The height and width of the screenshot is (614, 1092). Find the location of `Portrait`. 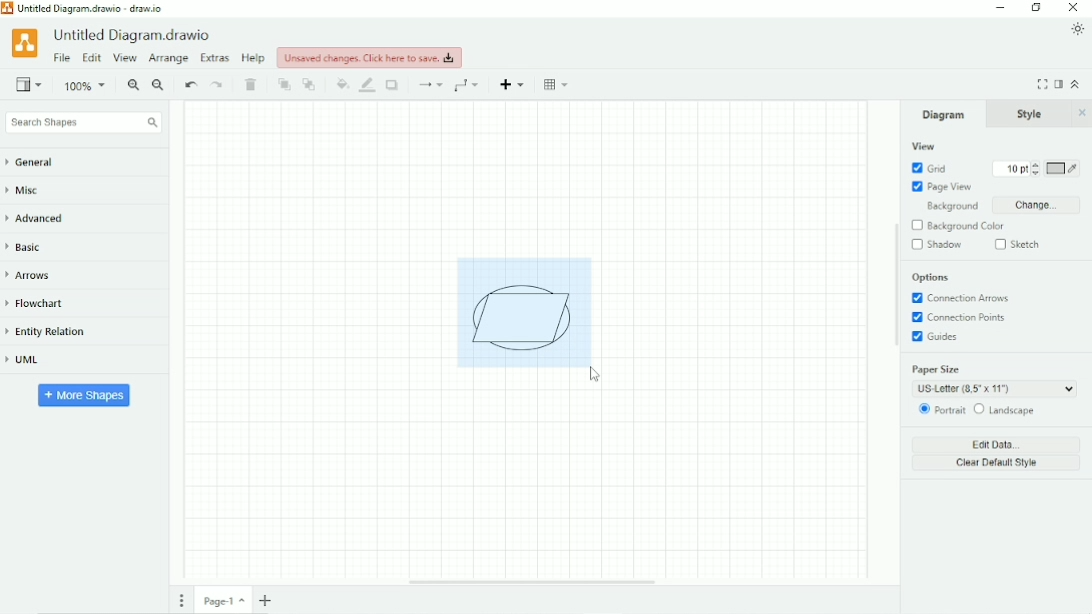

Portrait is located at coordinates (940, 410).